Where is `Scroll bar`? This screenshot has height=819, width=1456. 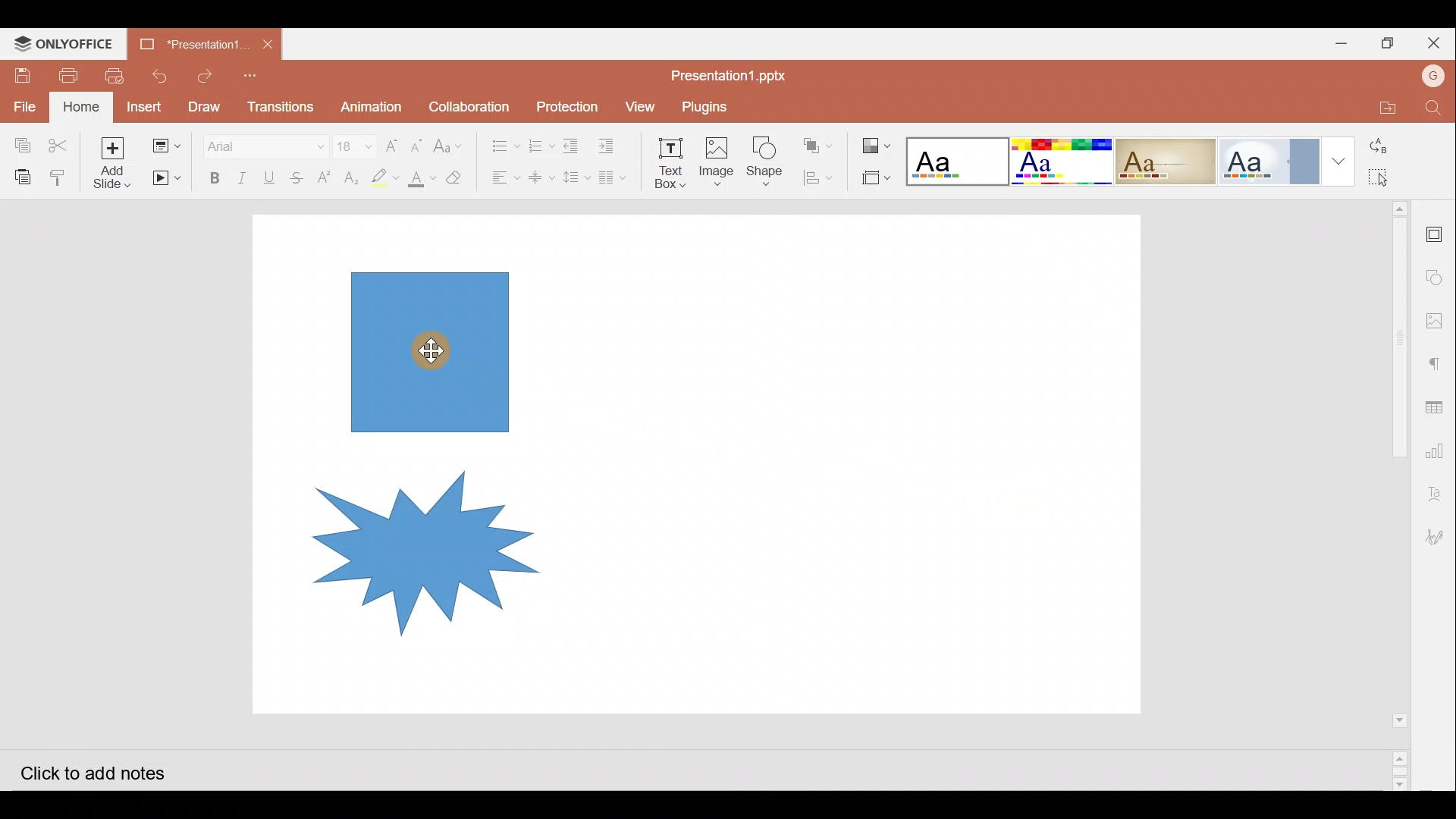
Scroll bar is located at coordinates (1389, 494).